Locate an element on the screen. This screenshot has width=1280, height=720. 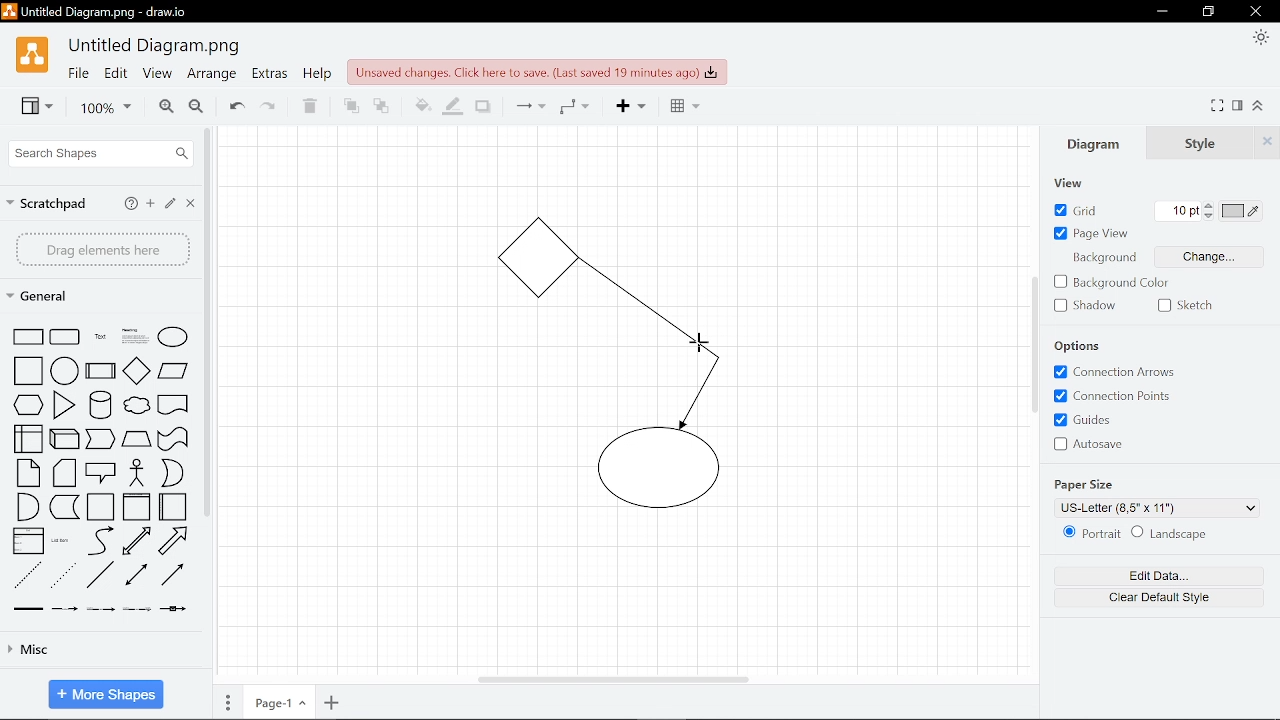
shape is located at coordinates (102, 405).